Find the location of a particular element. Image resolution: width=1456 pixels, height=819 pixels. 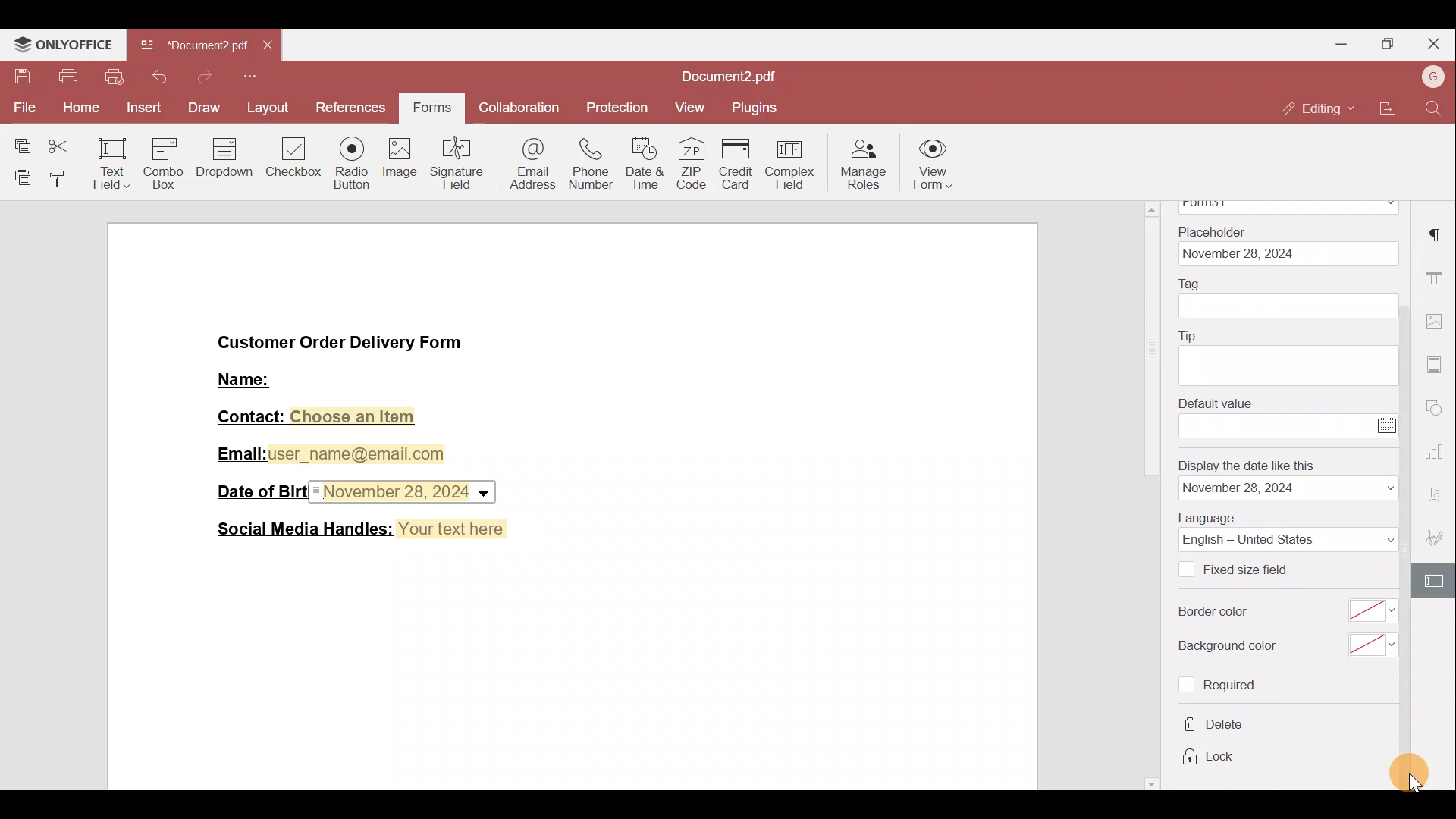

tip is located at coordinates (1290, 366).